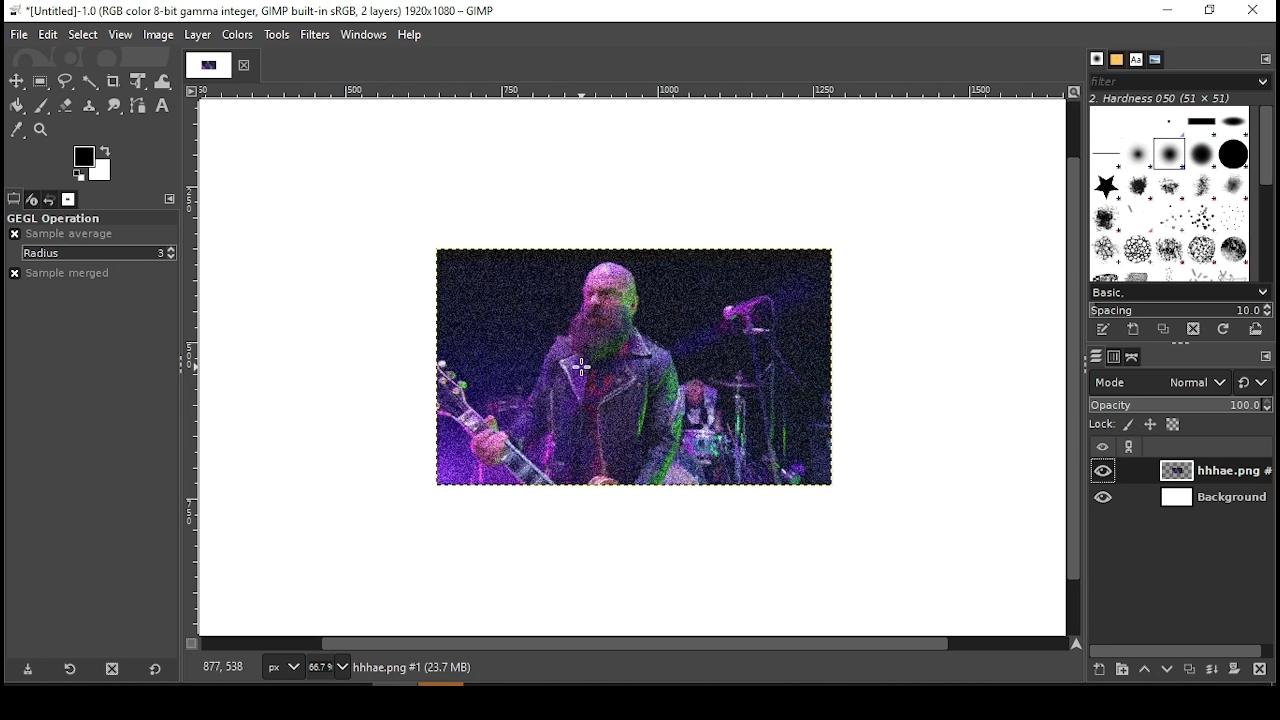 Image resolution: width=1280 pixels, height=720 pixels. What do you see at coordinates (64, 234) in the screenshot?
I see `sample average` at bounding box center [64, 234].